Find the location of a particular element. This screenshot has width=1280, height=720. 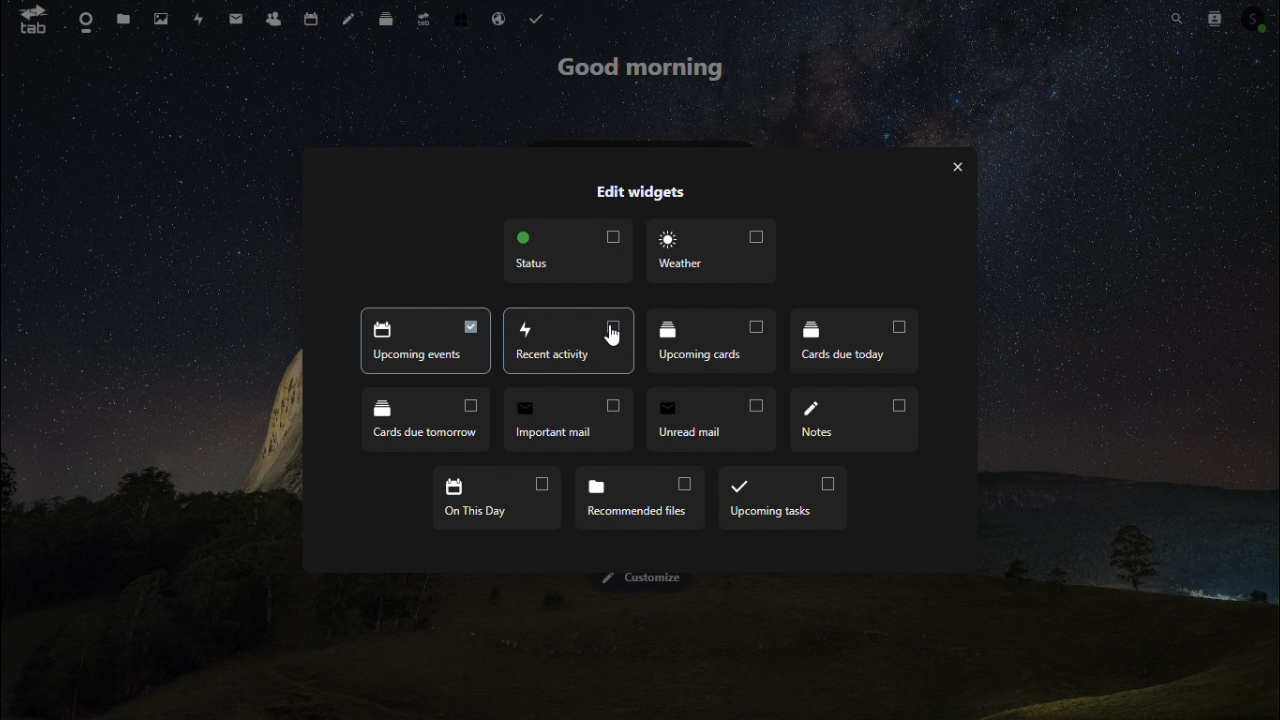

Calendar is located at coordinates (313, 16).